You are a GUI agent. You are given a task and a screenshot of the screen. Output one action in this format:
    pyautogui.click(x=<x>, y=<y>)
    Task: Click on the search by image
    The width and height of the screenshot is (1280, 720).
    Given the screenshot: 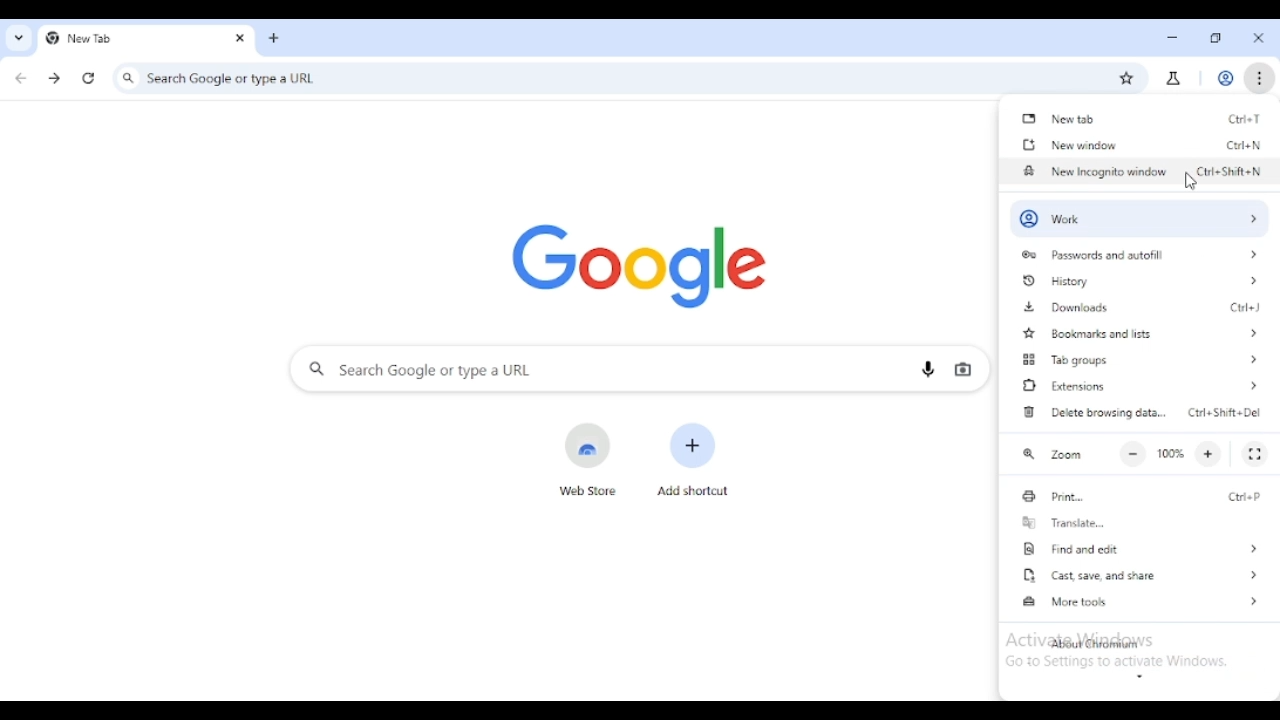 What is the action you would take?
    pyautogui.click(x=962, y=370)
    